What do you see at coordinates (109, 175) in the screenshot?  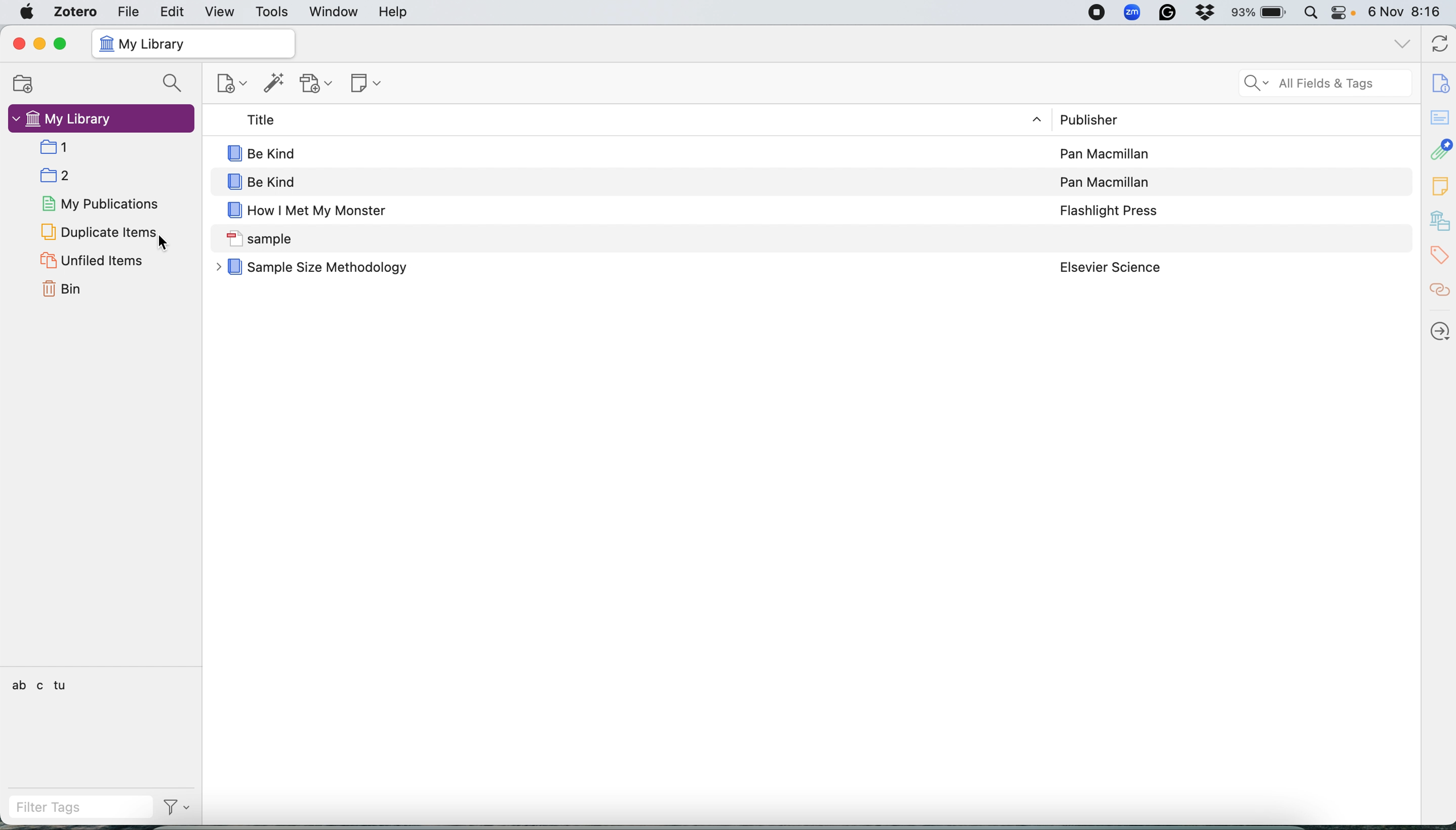 I see `File 2` at bounding box center [109, 175].